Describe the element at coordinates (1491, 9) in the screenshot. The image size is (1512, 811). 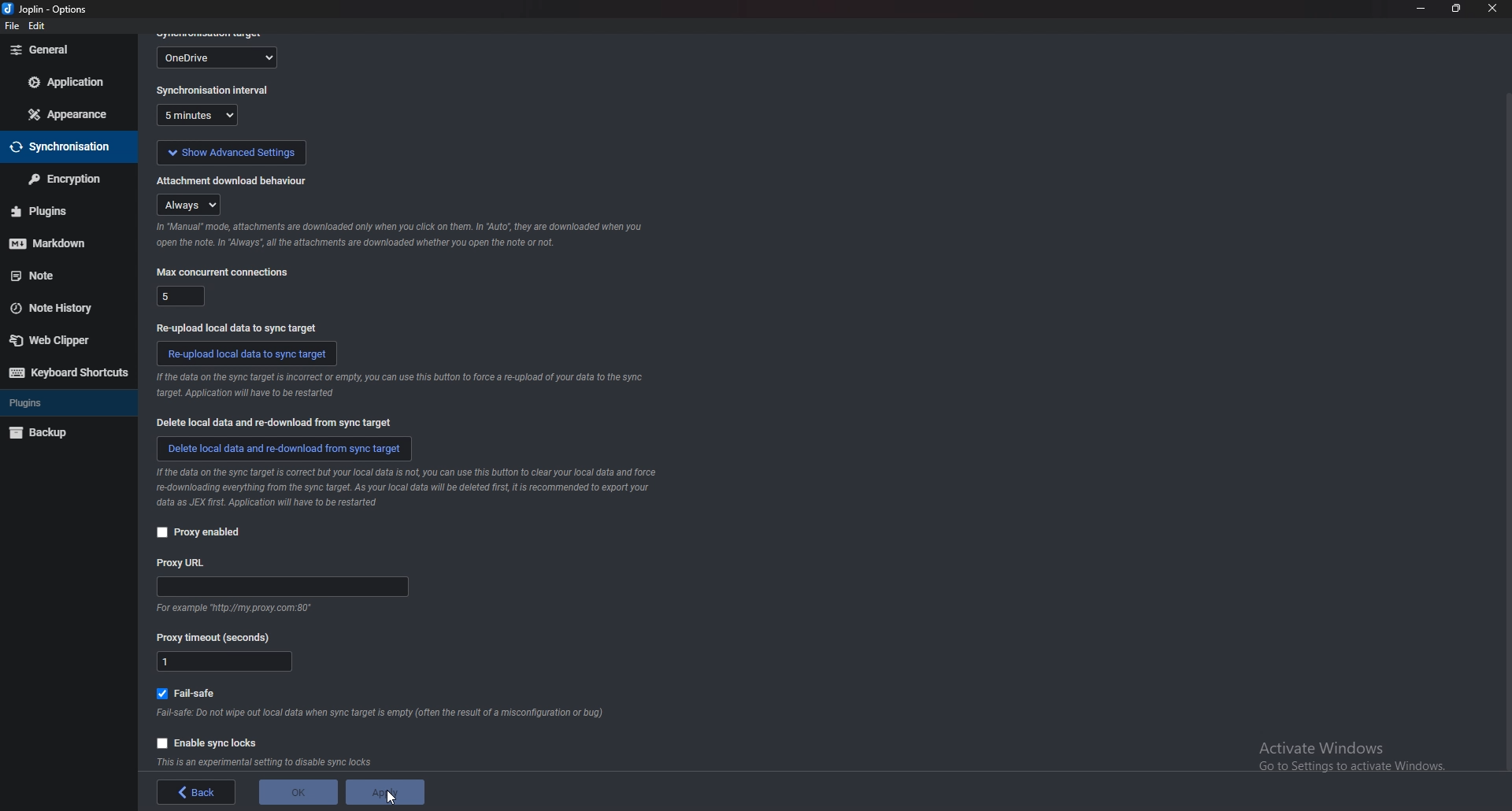
I see `close` at that location.